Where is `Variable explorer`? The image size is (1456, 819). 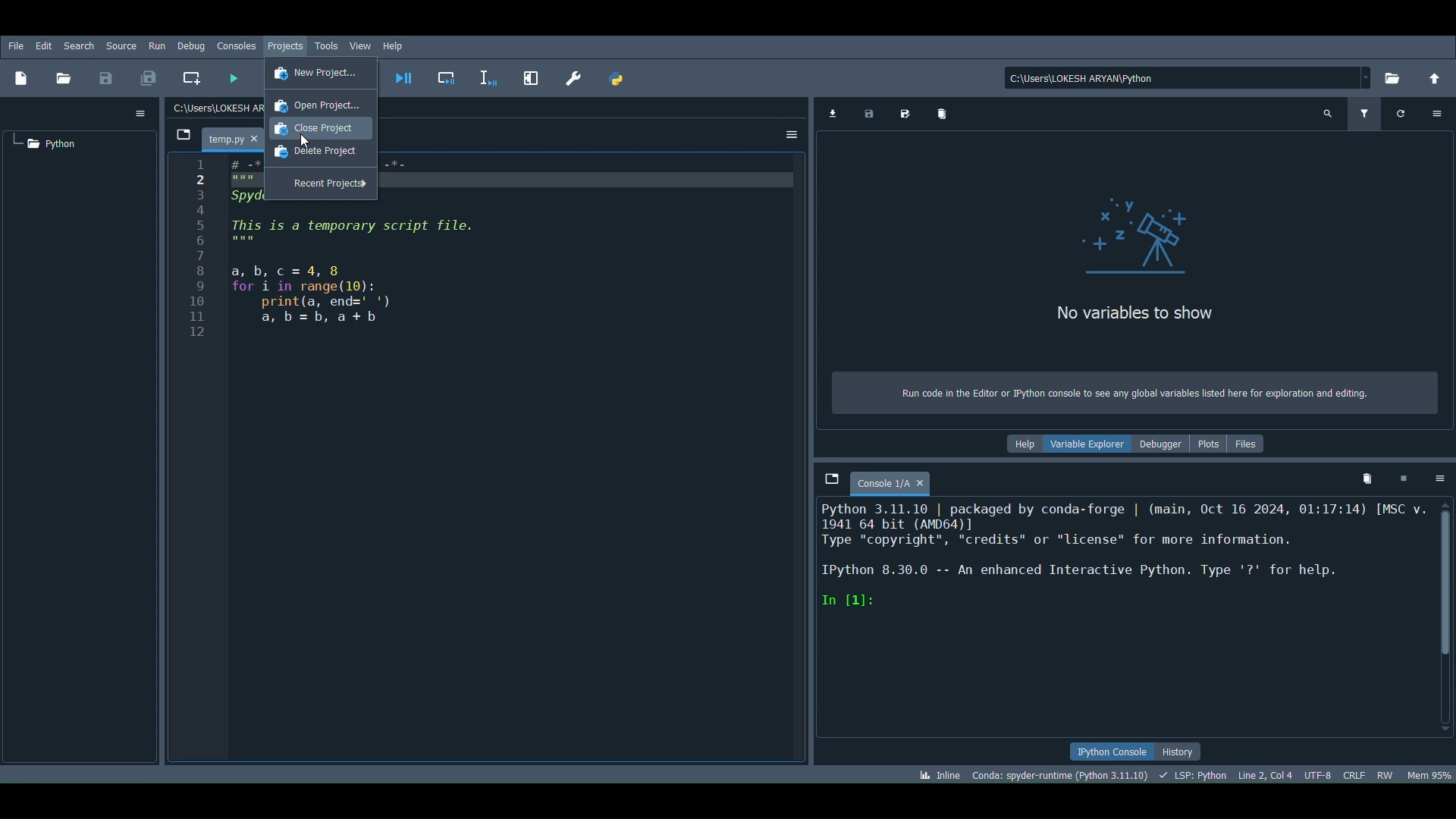
Variable explorer is located at coordinates (1087, 444).